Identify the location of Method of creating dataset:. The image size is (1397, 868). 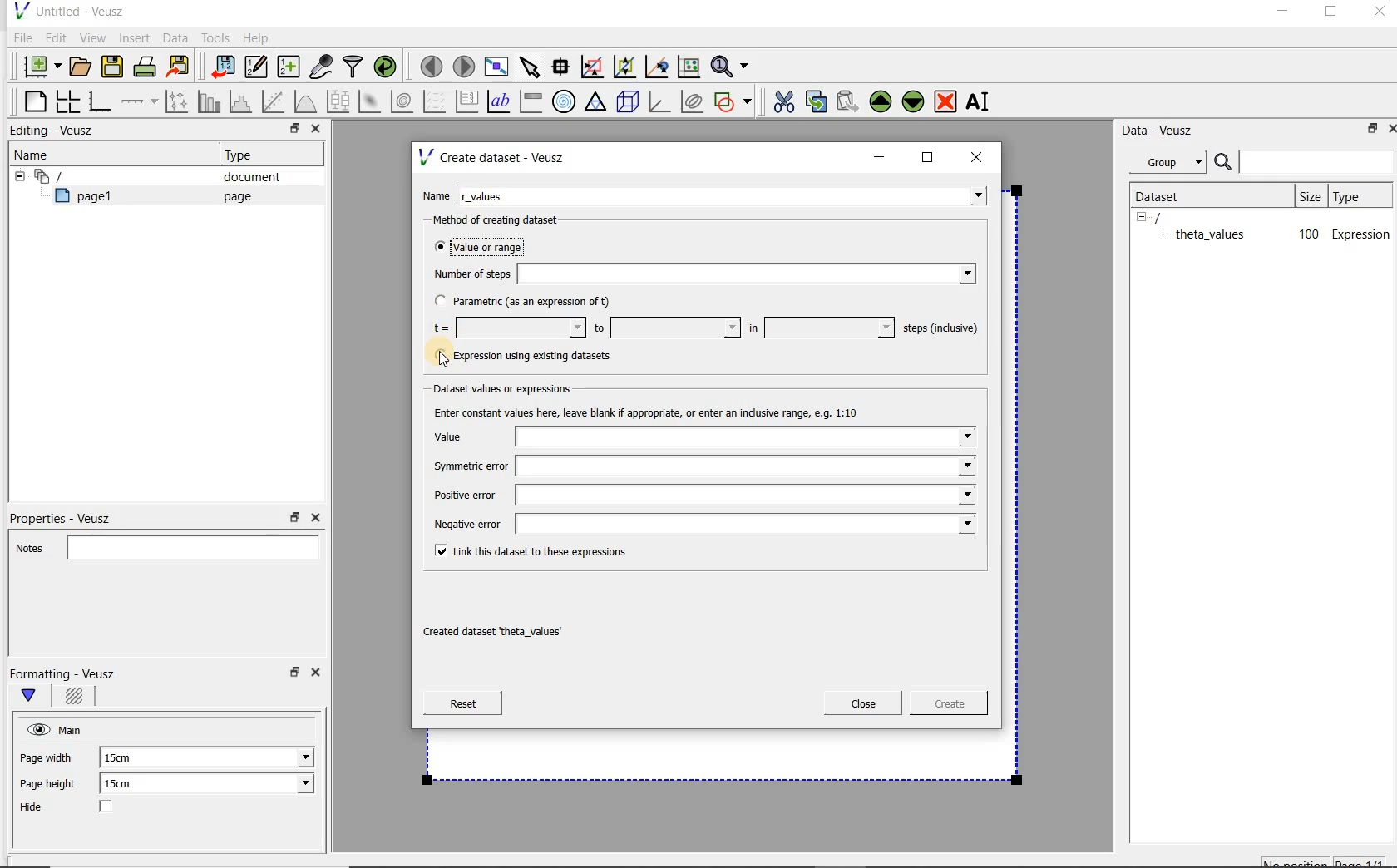
(508, 220).